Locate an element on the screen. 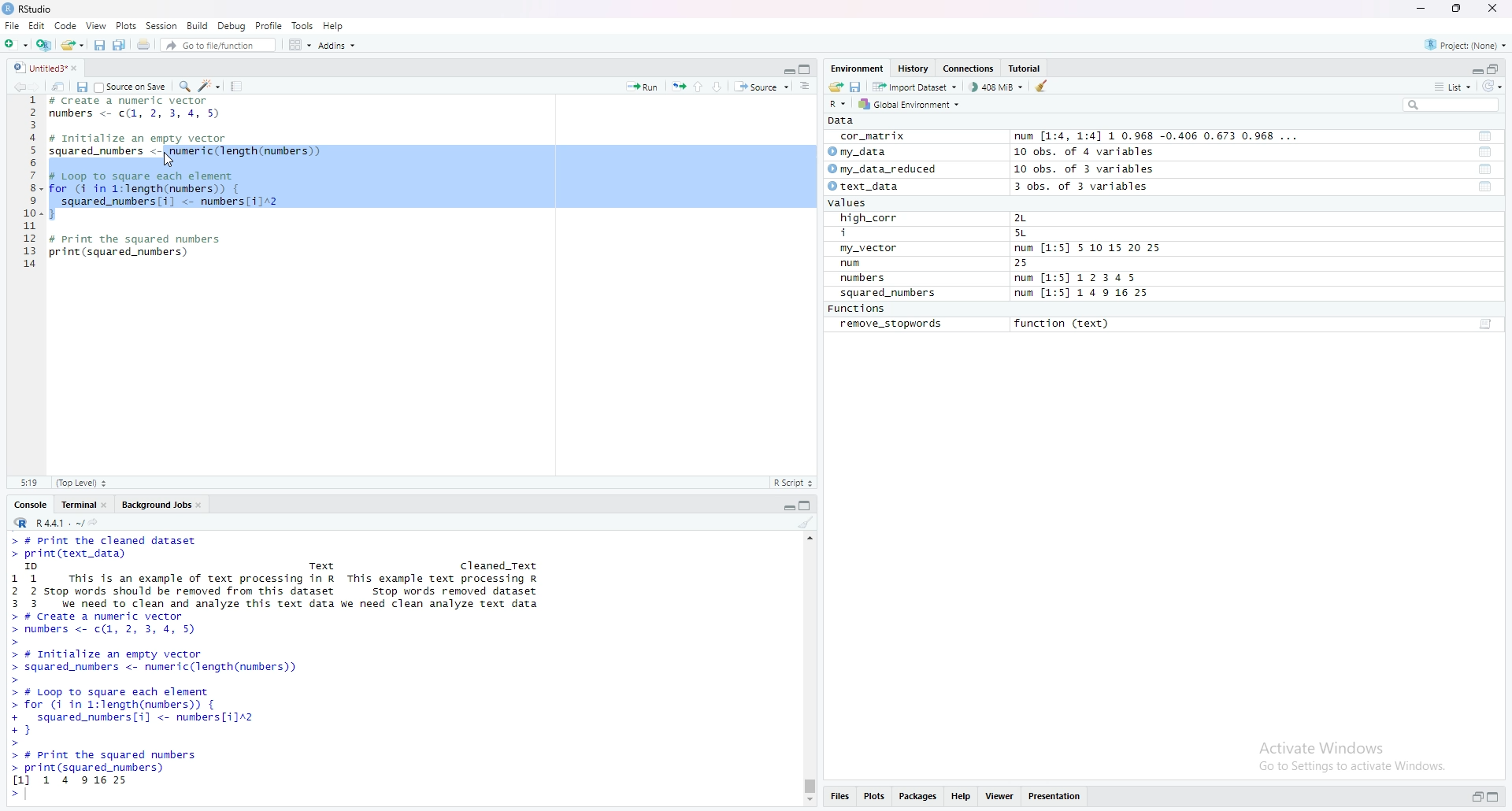 This screenshot has width=1512, height=811. Project: (None) is located at coordinates (1467, 43).